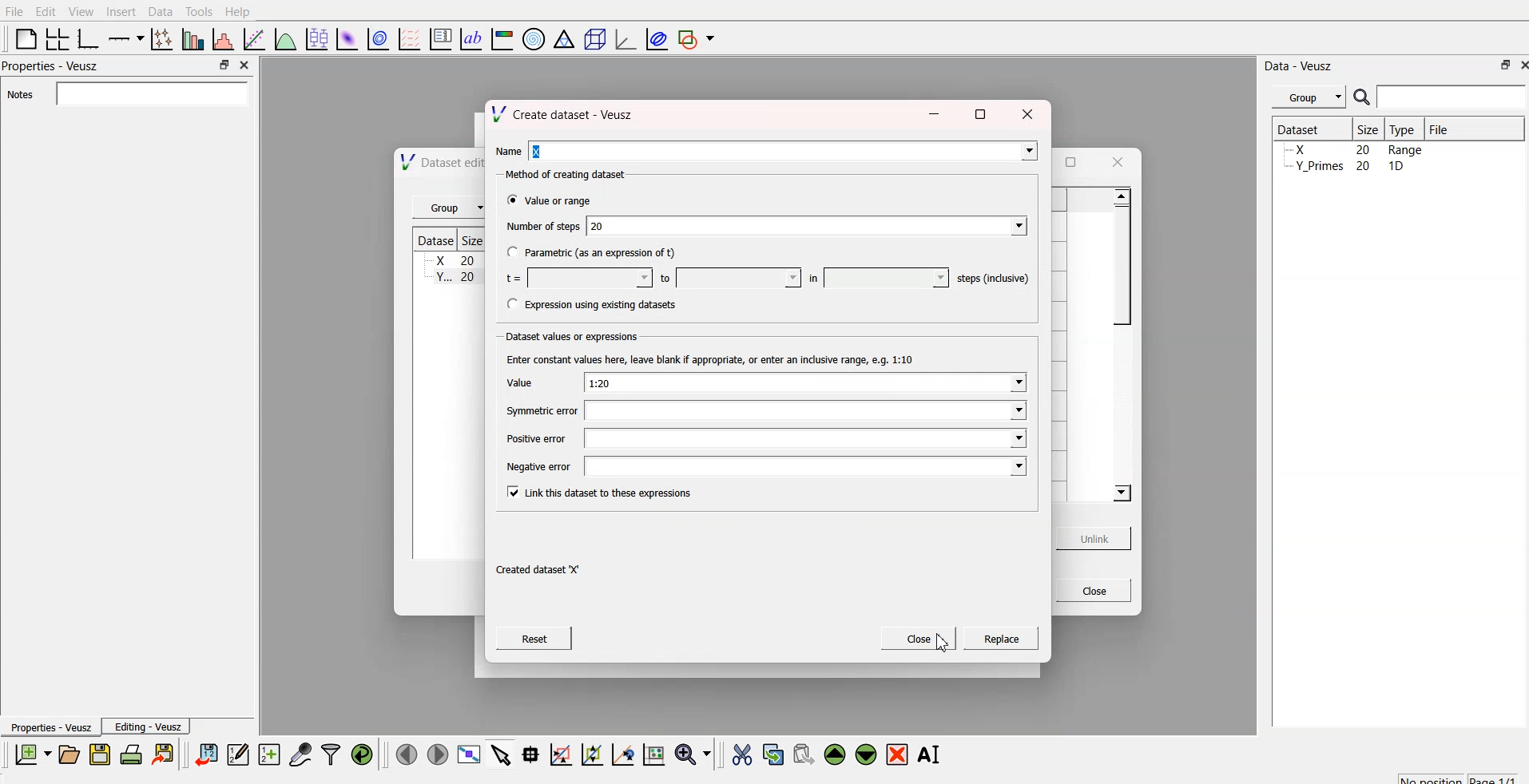 This screenshot has height=784, width=1529. Describe the element at coordinates (443, 206) in the screenshot. I see `‘Group` at that location.